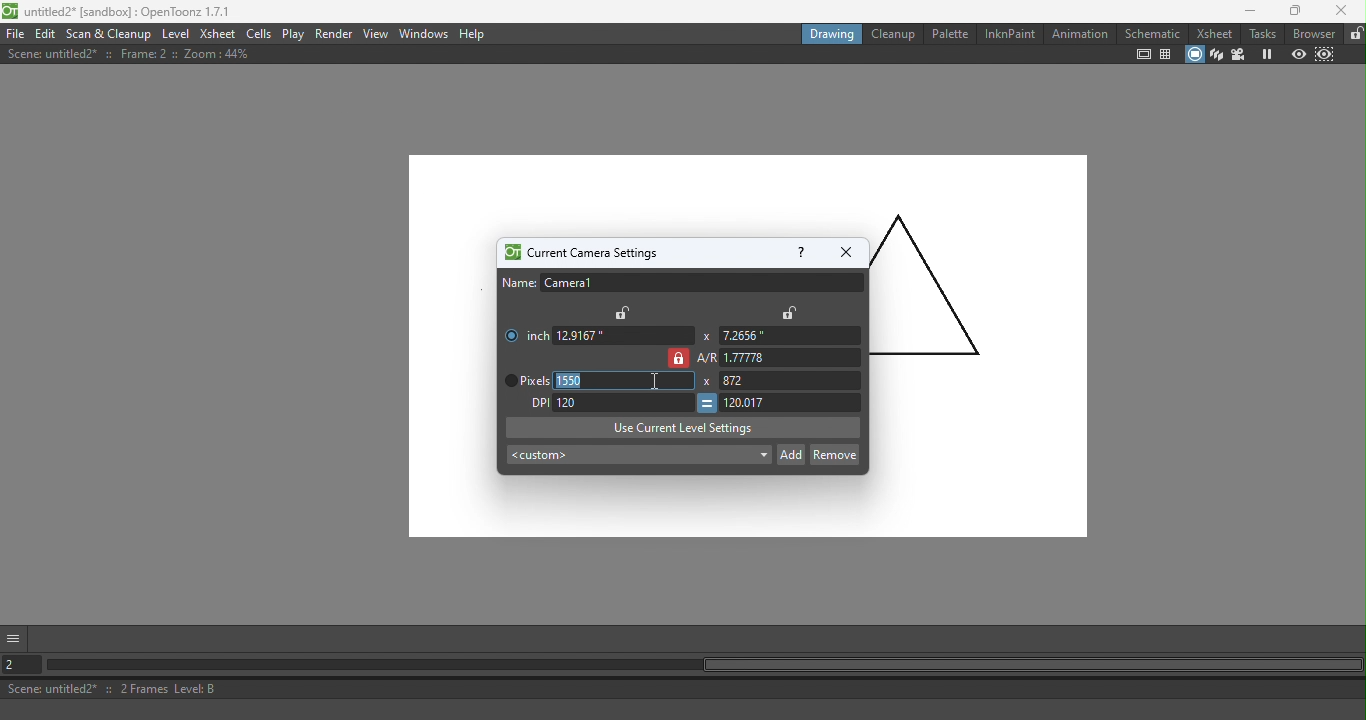 This screenshot has width=1366, height=720. I want to click on Edit, so click(45, 34).